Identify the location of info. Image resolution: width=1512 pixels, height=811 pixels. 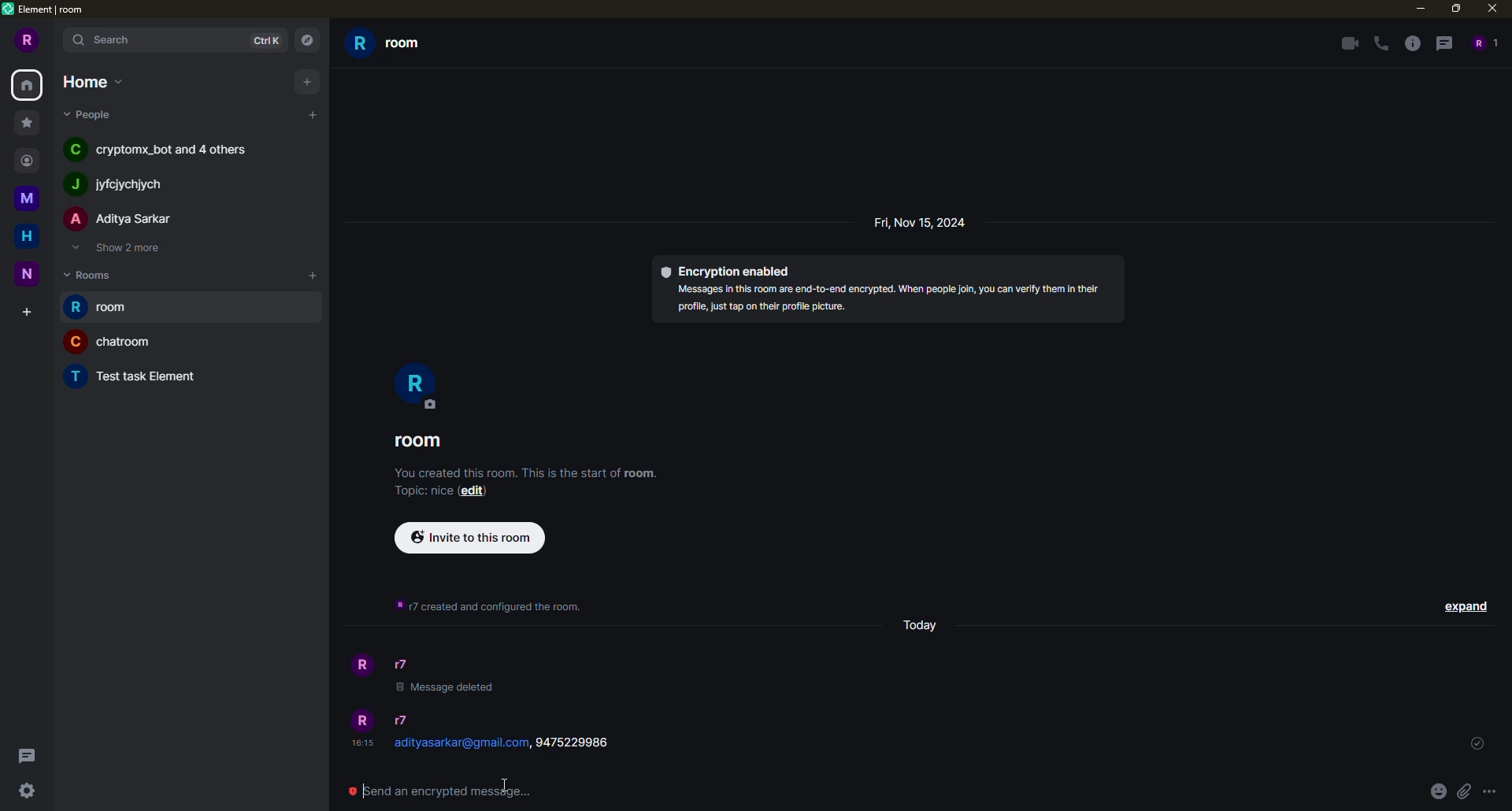
(527, 472).